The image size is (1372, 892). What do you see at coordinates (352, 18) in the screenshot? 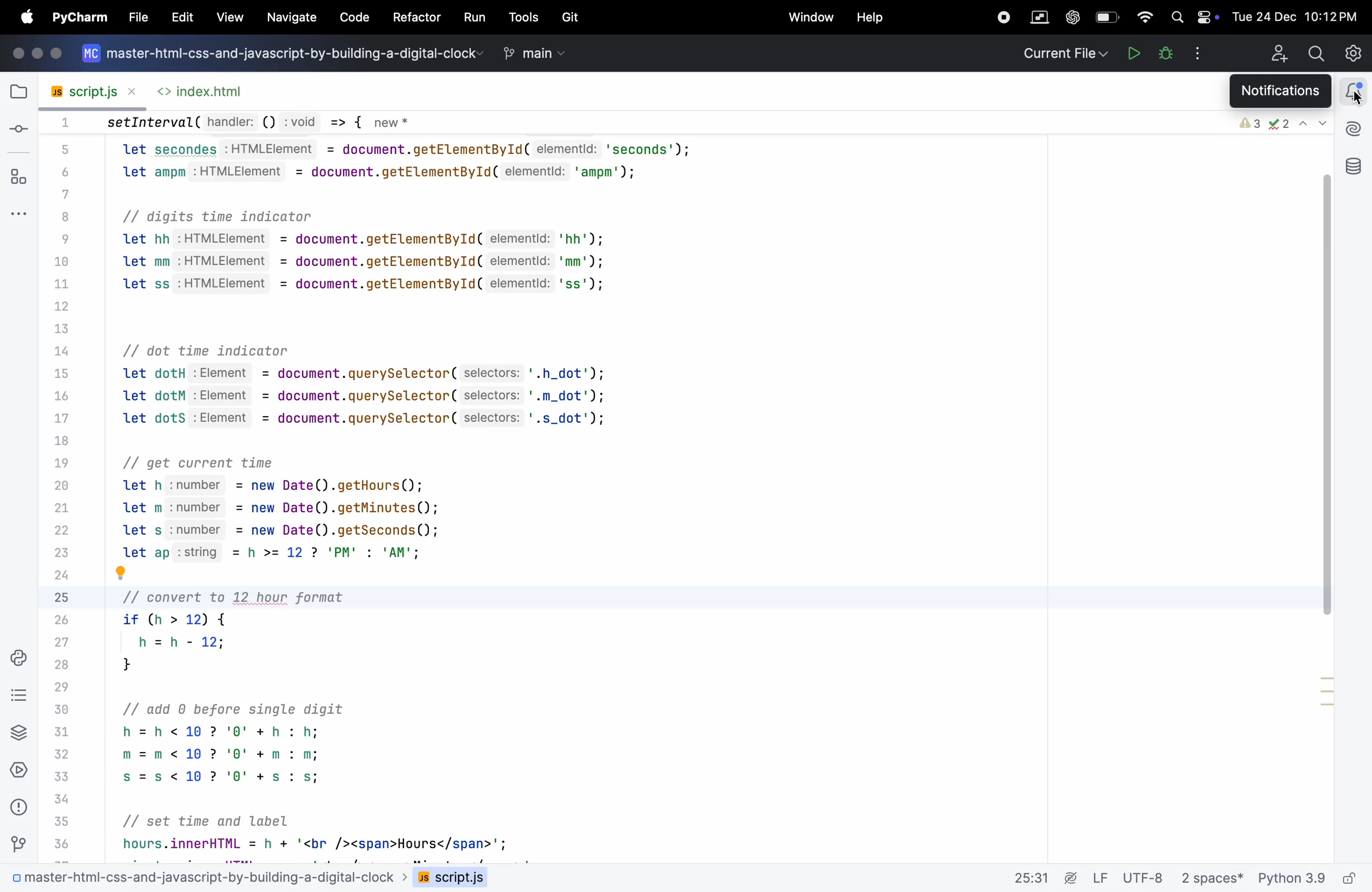
I see `code` at bounding box center [352, 18].